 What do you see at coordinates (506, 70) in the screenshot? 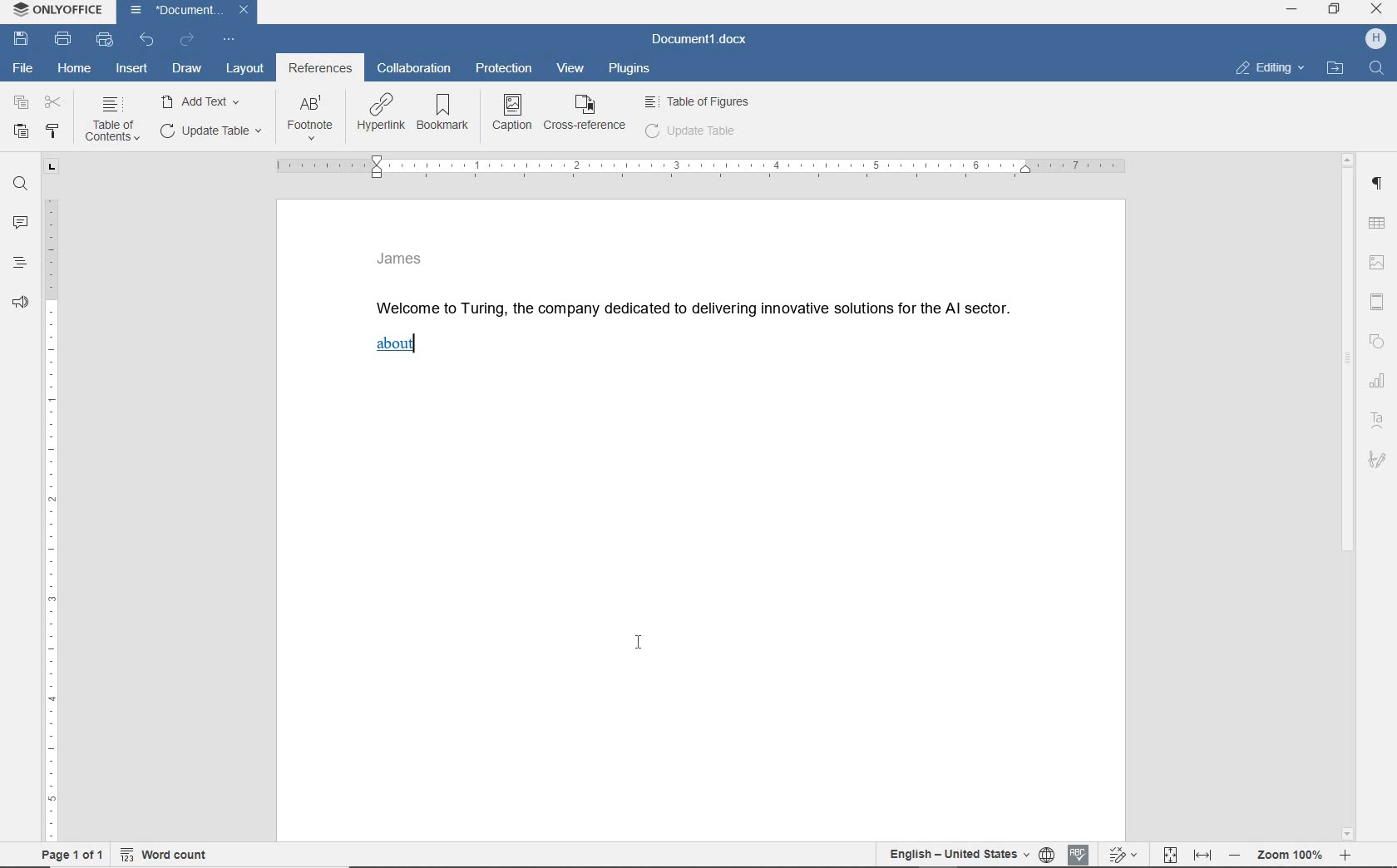
I see `protection` at bounding box center [506, 70].